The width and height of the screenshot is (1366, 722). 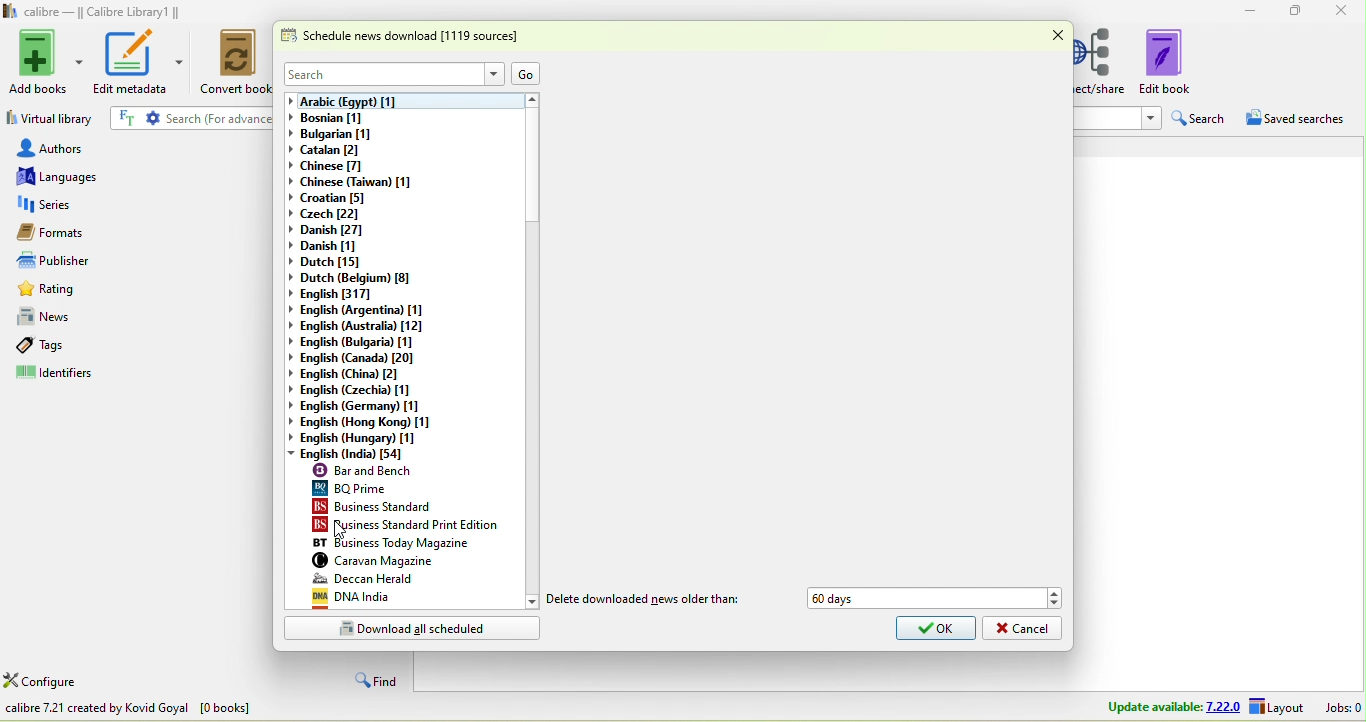 What do you see at coordinates (413, 543) in the screenshot?
I see `business today magazine` at bounding box center [413, 543].